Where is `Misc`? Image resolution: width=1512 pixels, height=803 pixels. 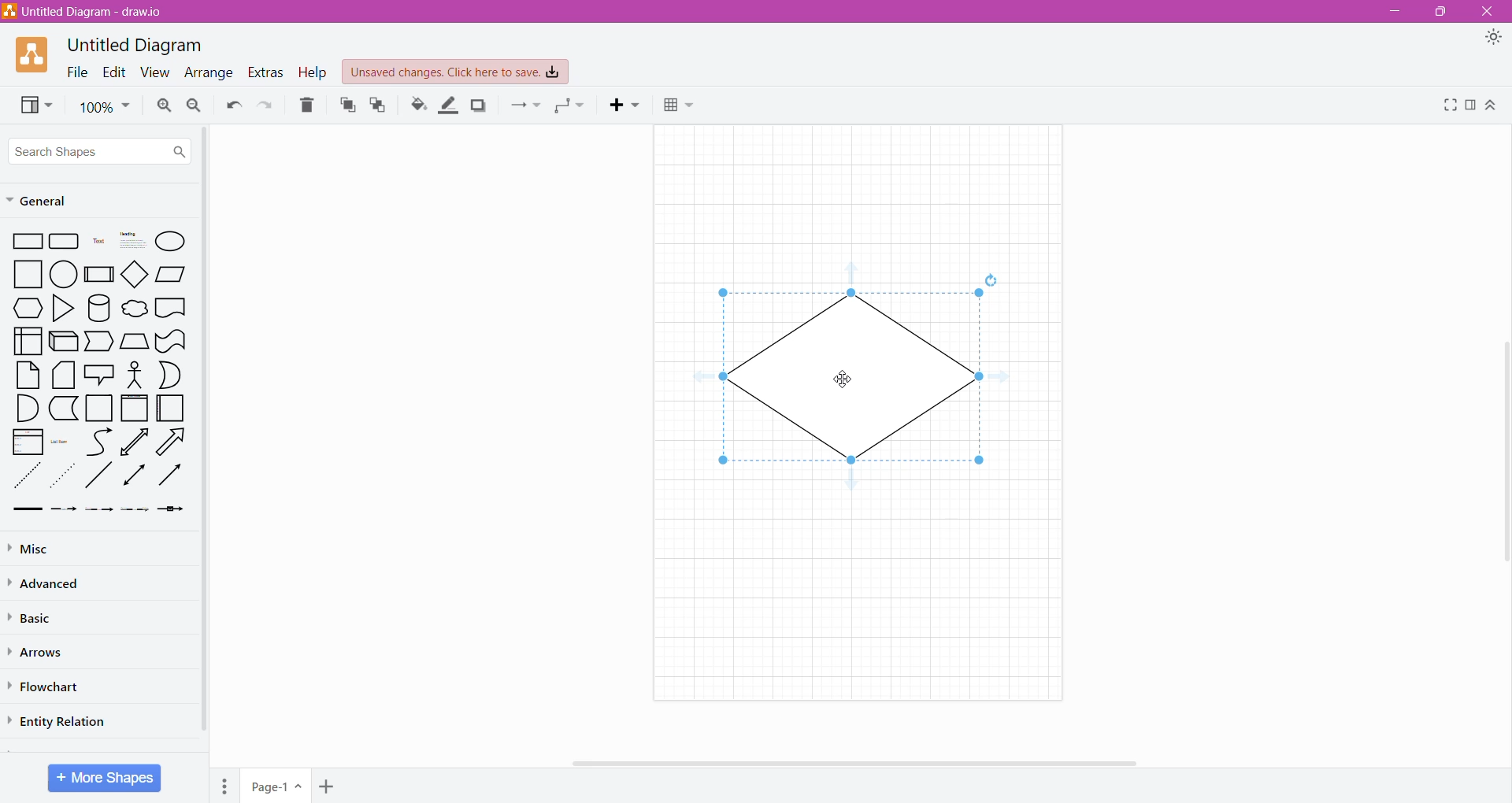 Misc is located at coordinates (49, 550).